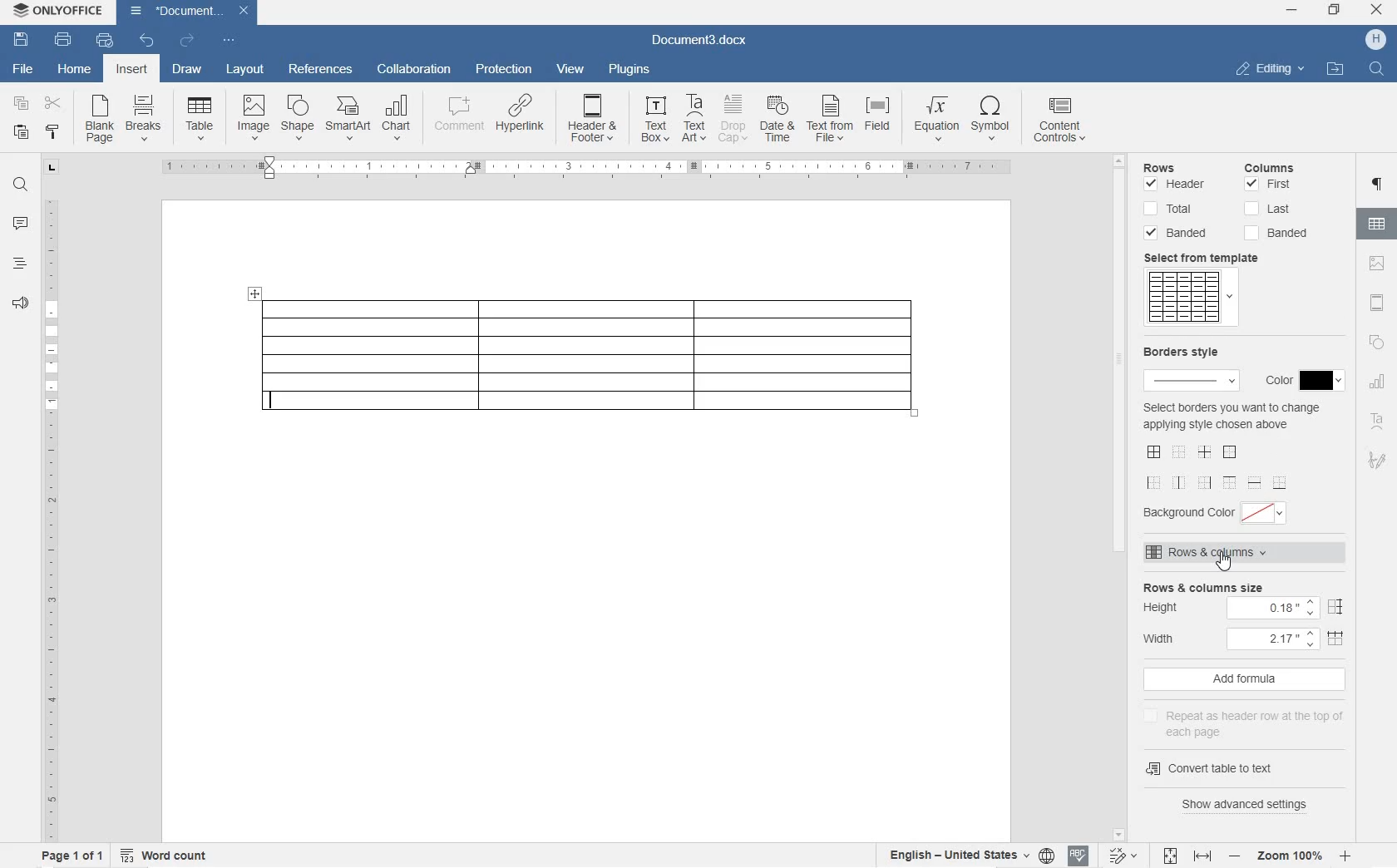 The height and width of the screenshot is (868, 1397). Describe the element at coordinates (1069, 122) in the screenshot. I see `CONTENT CONTROLS` at that location.